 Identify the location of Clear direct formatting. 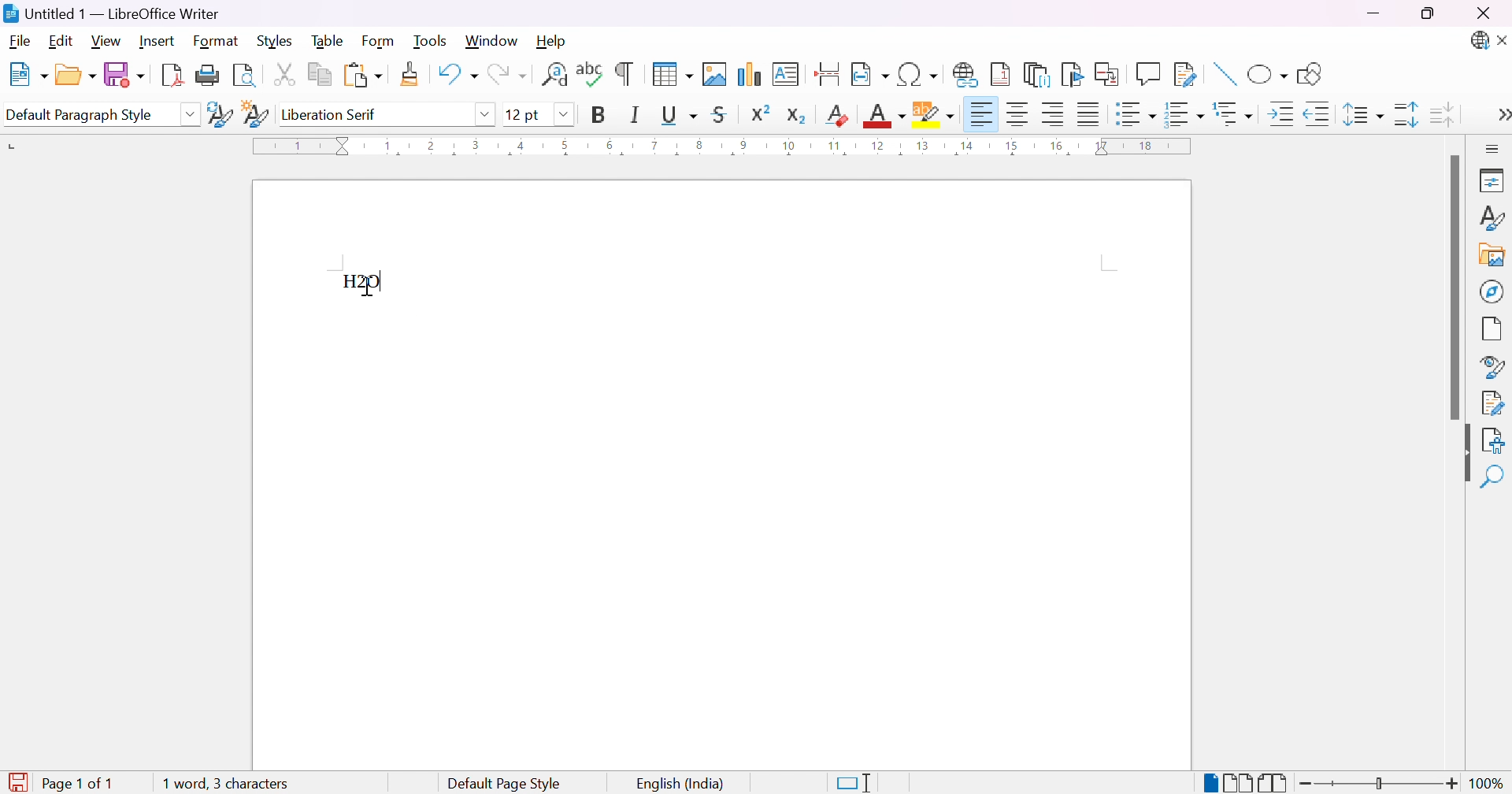
(839, 114).